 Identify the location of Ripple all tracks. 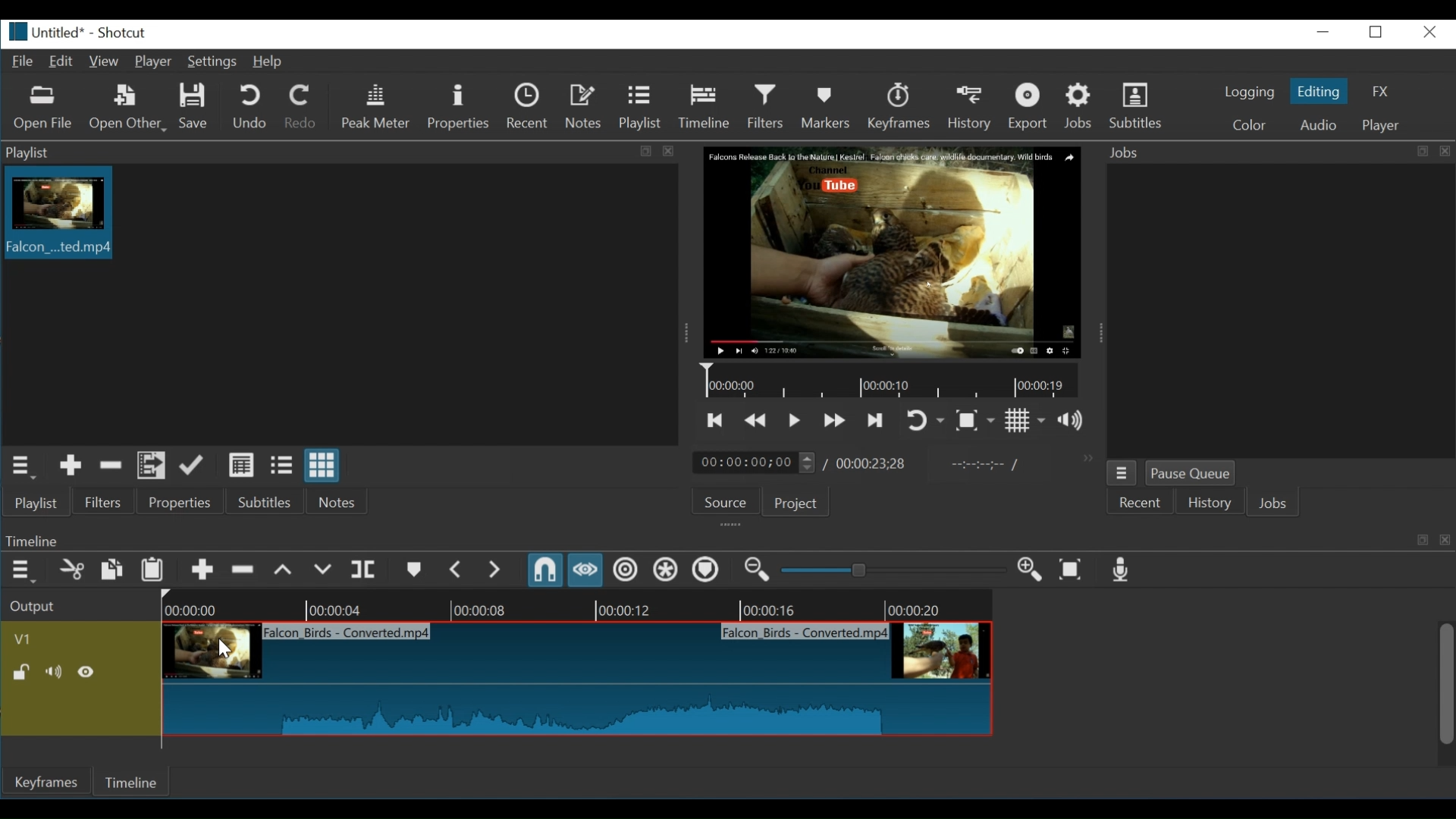
(663, 569).